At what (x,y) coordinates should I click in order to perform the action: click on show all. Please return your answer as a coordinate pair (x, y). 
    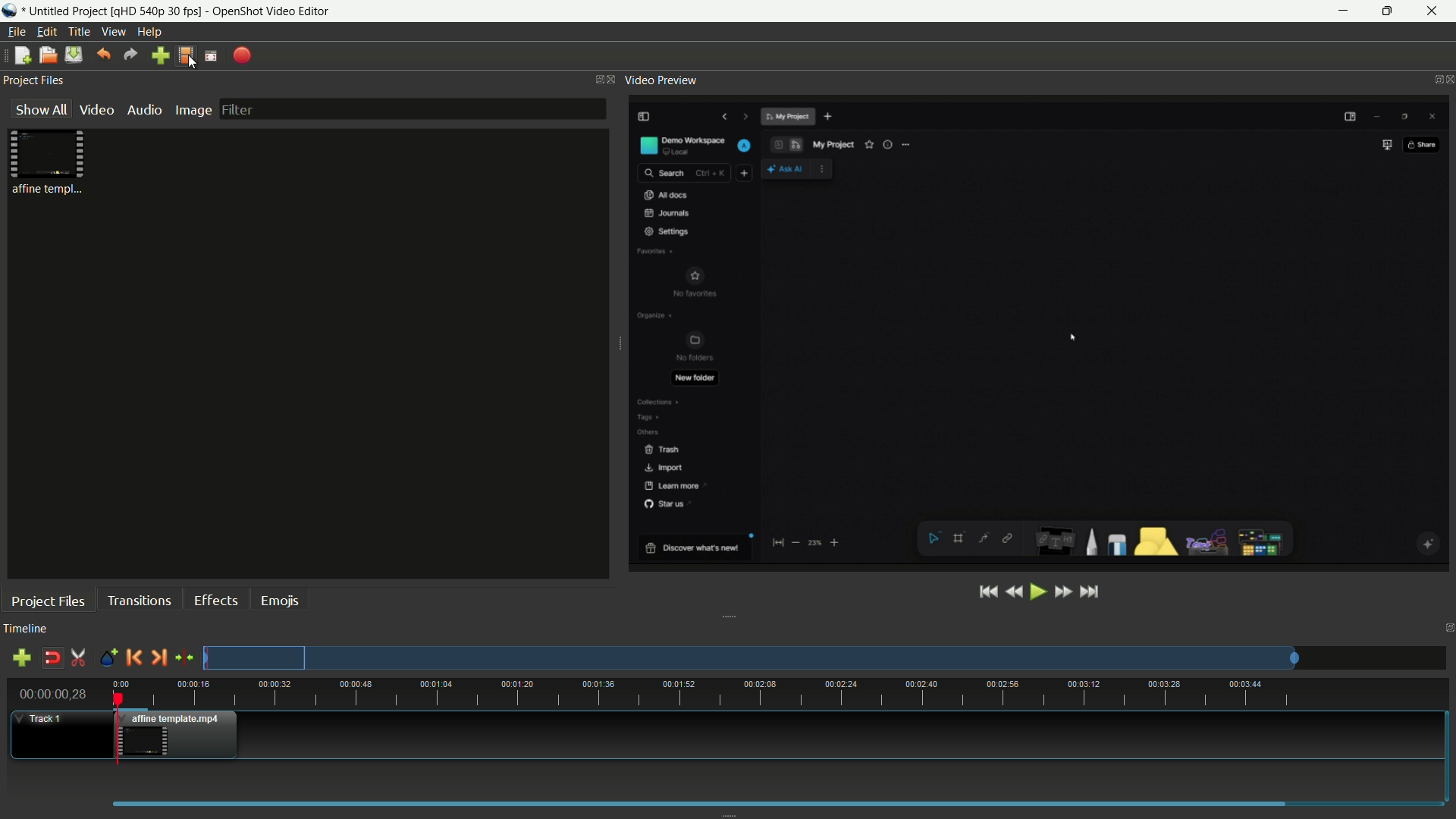
    Looking at the image, I should click on (41, 108).